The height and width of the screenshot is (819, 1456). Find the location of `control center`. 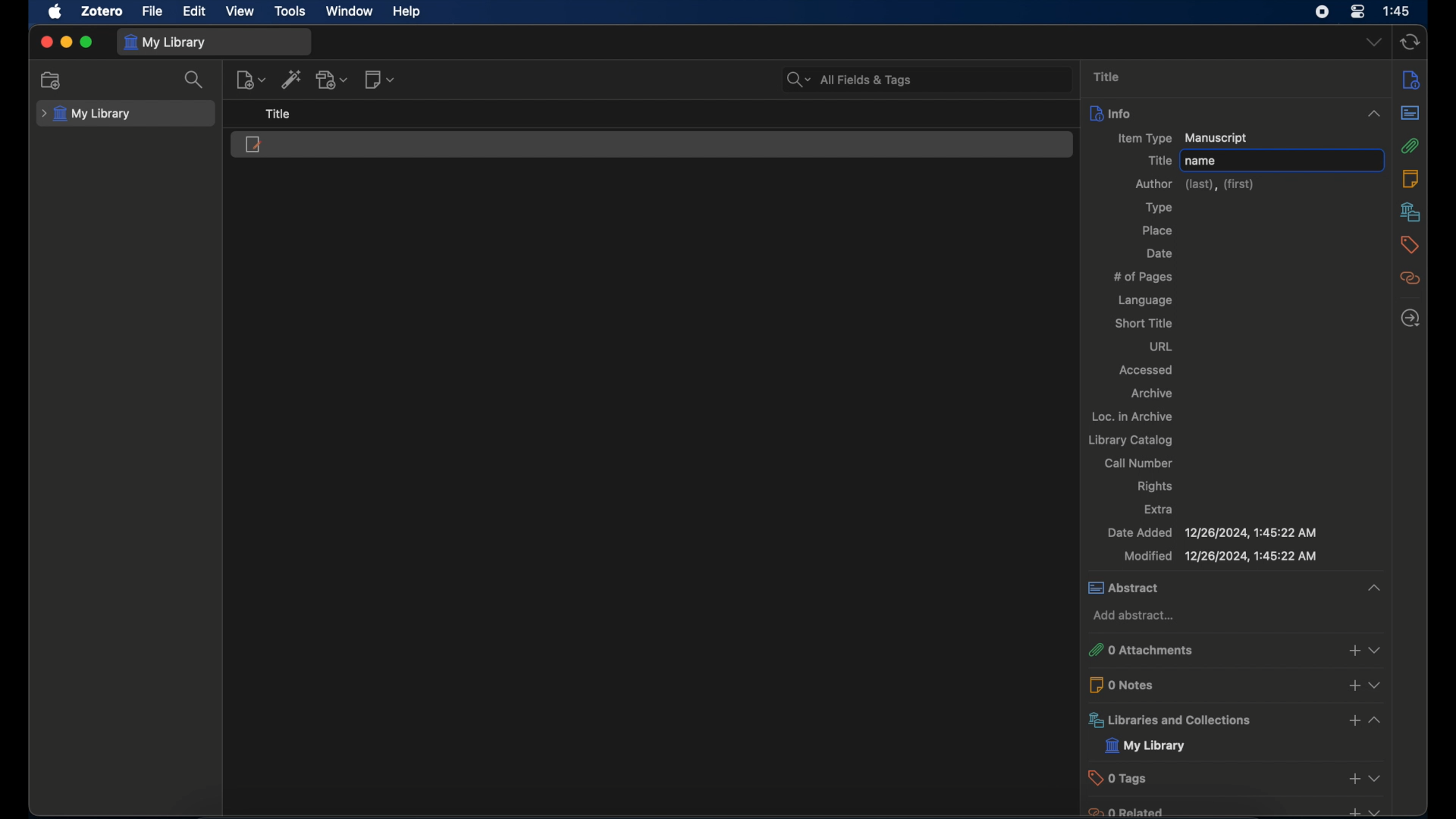

control center is located at coordinates (1357, 11).